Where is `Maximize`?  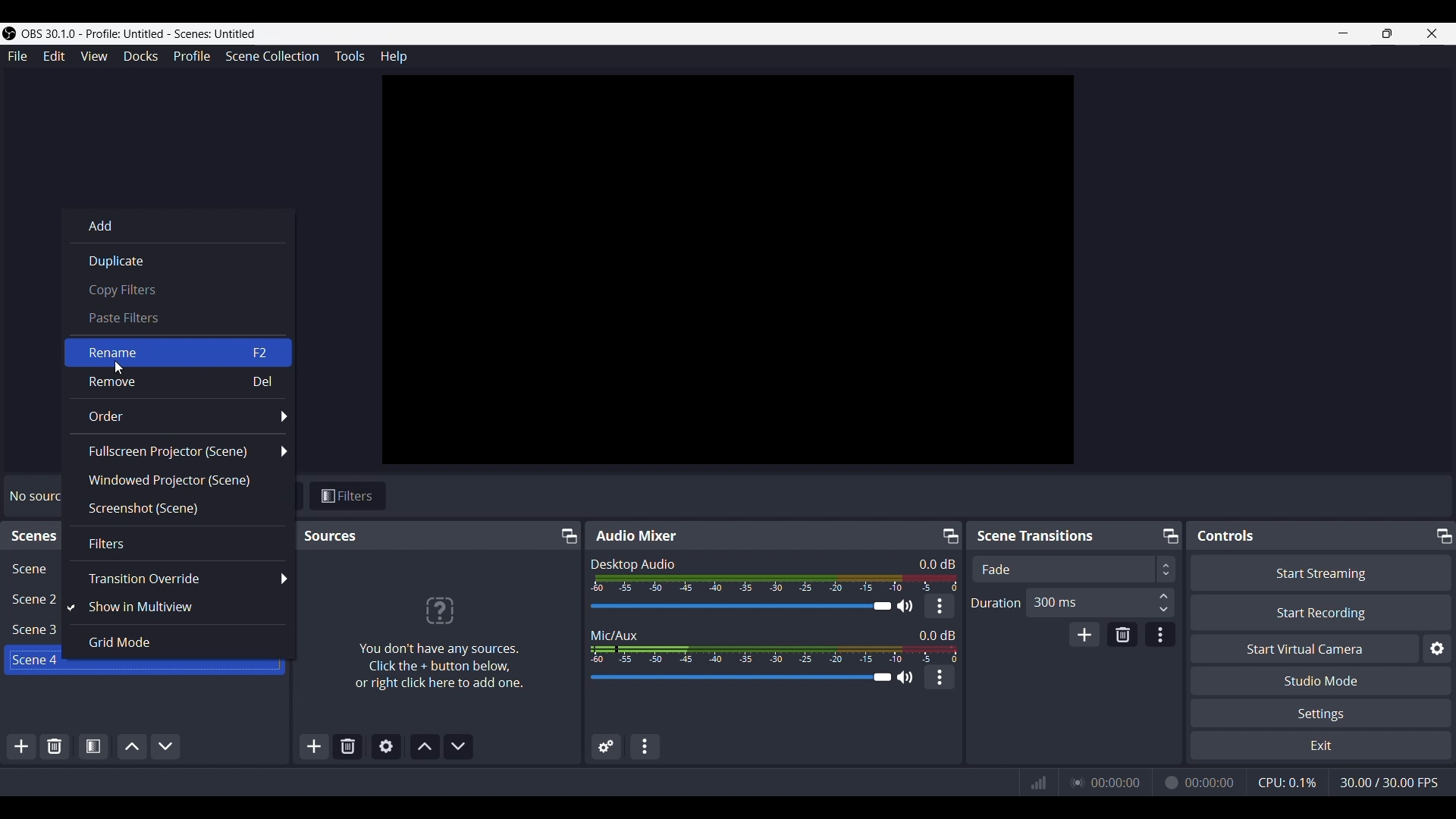 Maximize is located at coordinates (1388, 33).